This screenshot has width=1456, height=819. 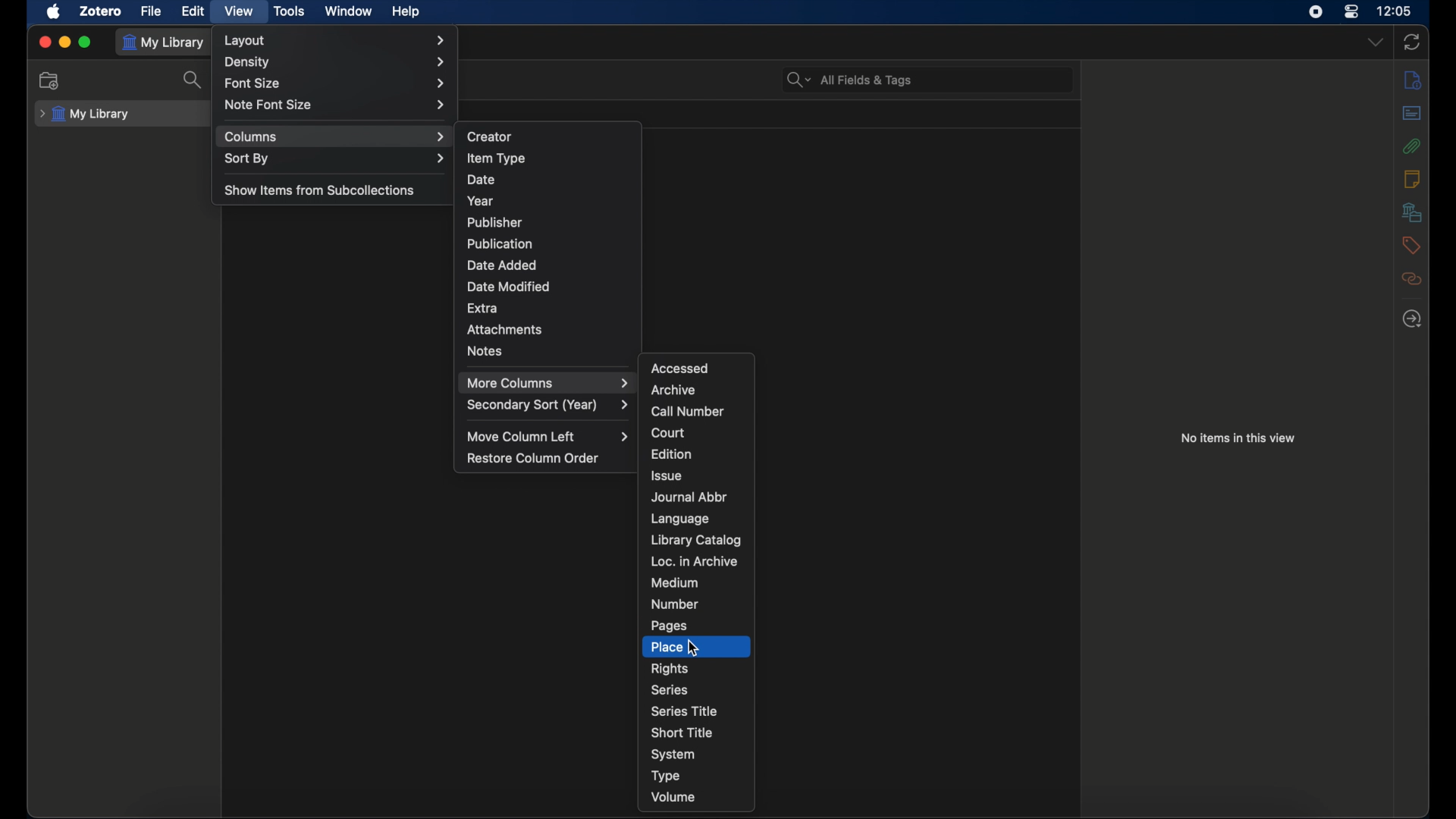 What do you see at coordinates (682, 733) in the screenshot?
I see `short title` at bounding box center [682, 733].